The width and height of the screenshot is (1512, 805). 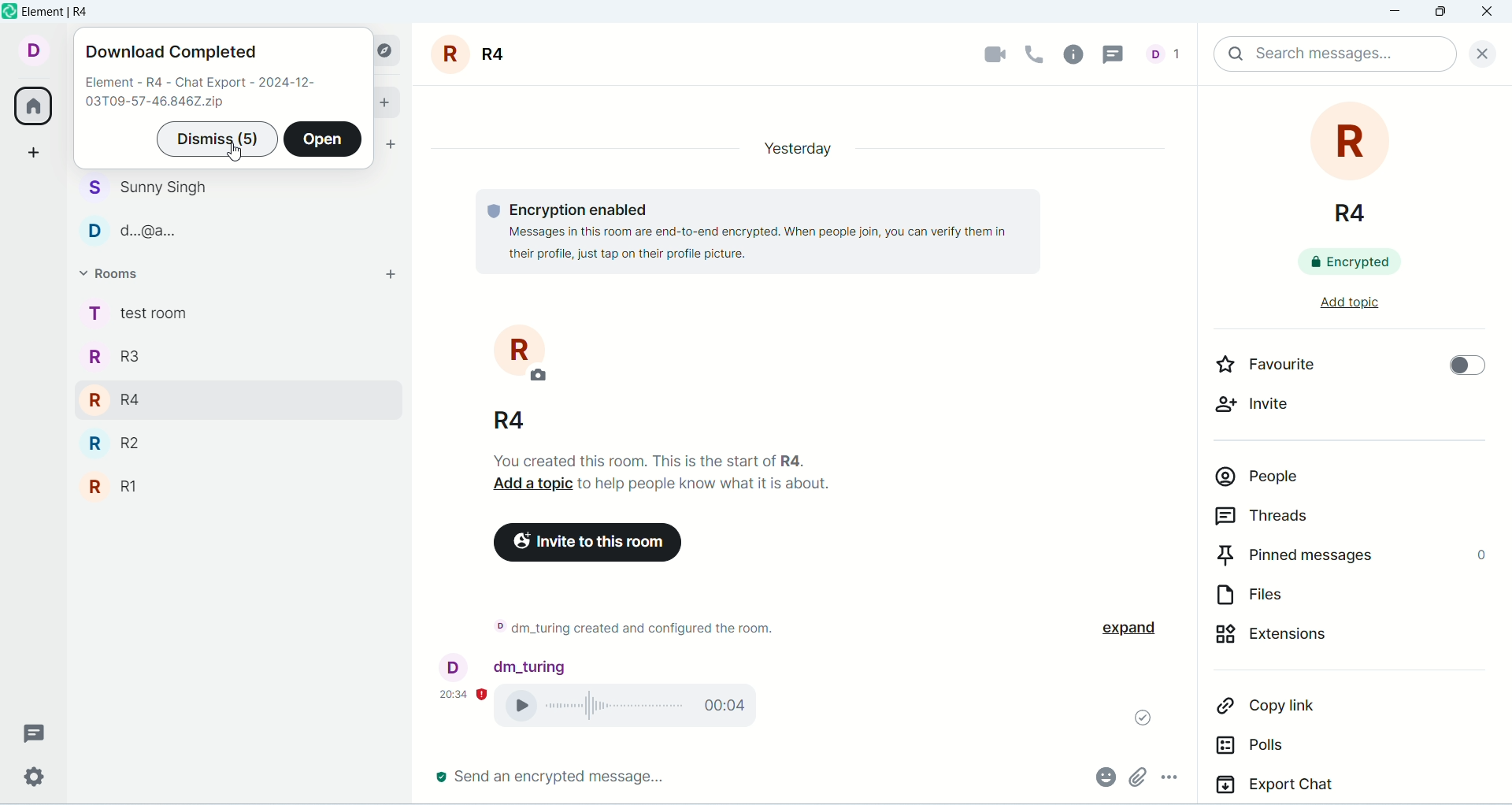 What do you see at coordinates (1178, 780) in the screenshot?
I see `options` at bounding box center [1178, 780].